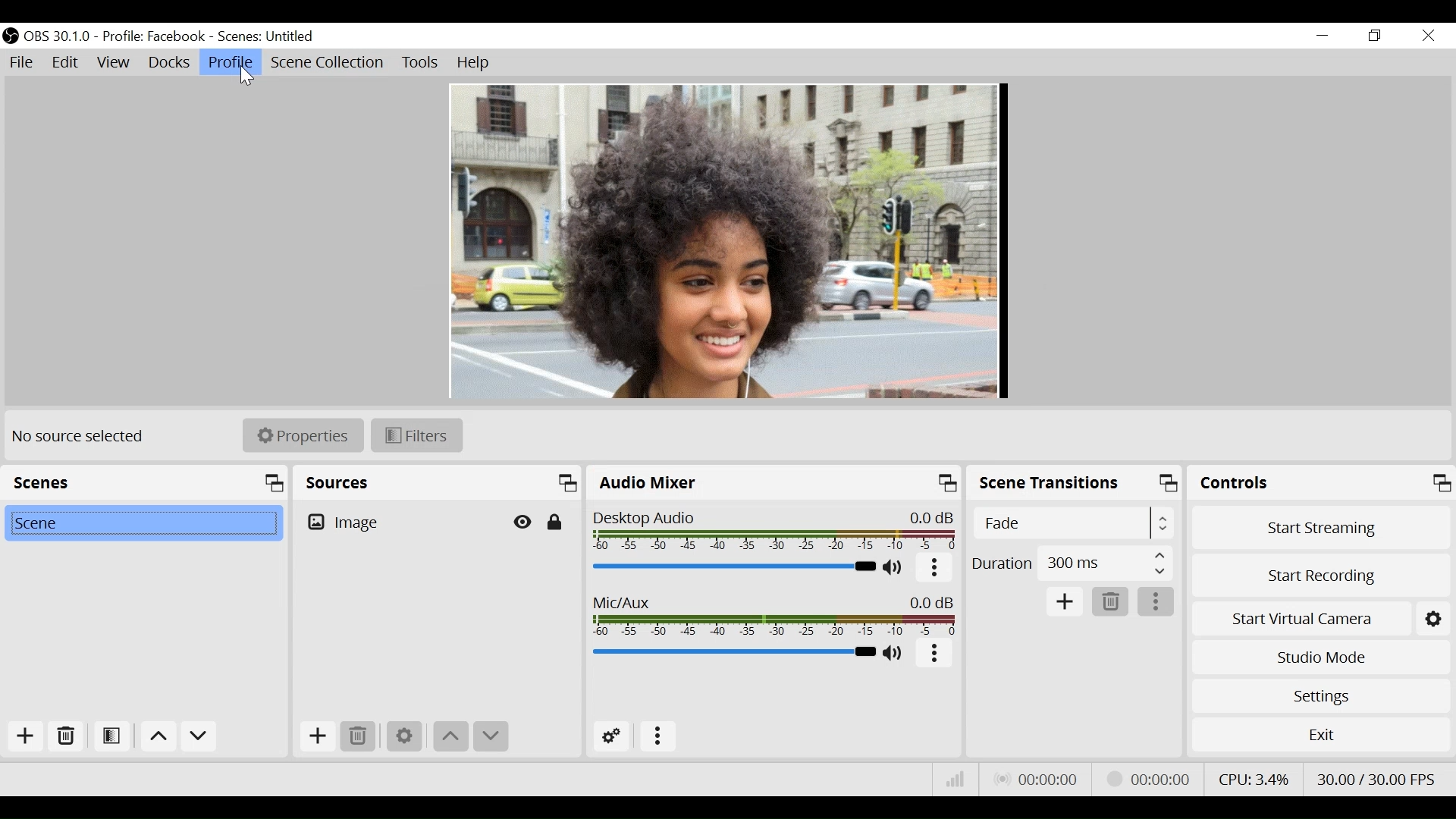  What do you see at coordinates (613, 736) in the screenshot?
I see `Advanced Audio Settings` at bounding box center [613, 736].